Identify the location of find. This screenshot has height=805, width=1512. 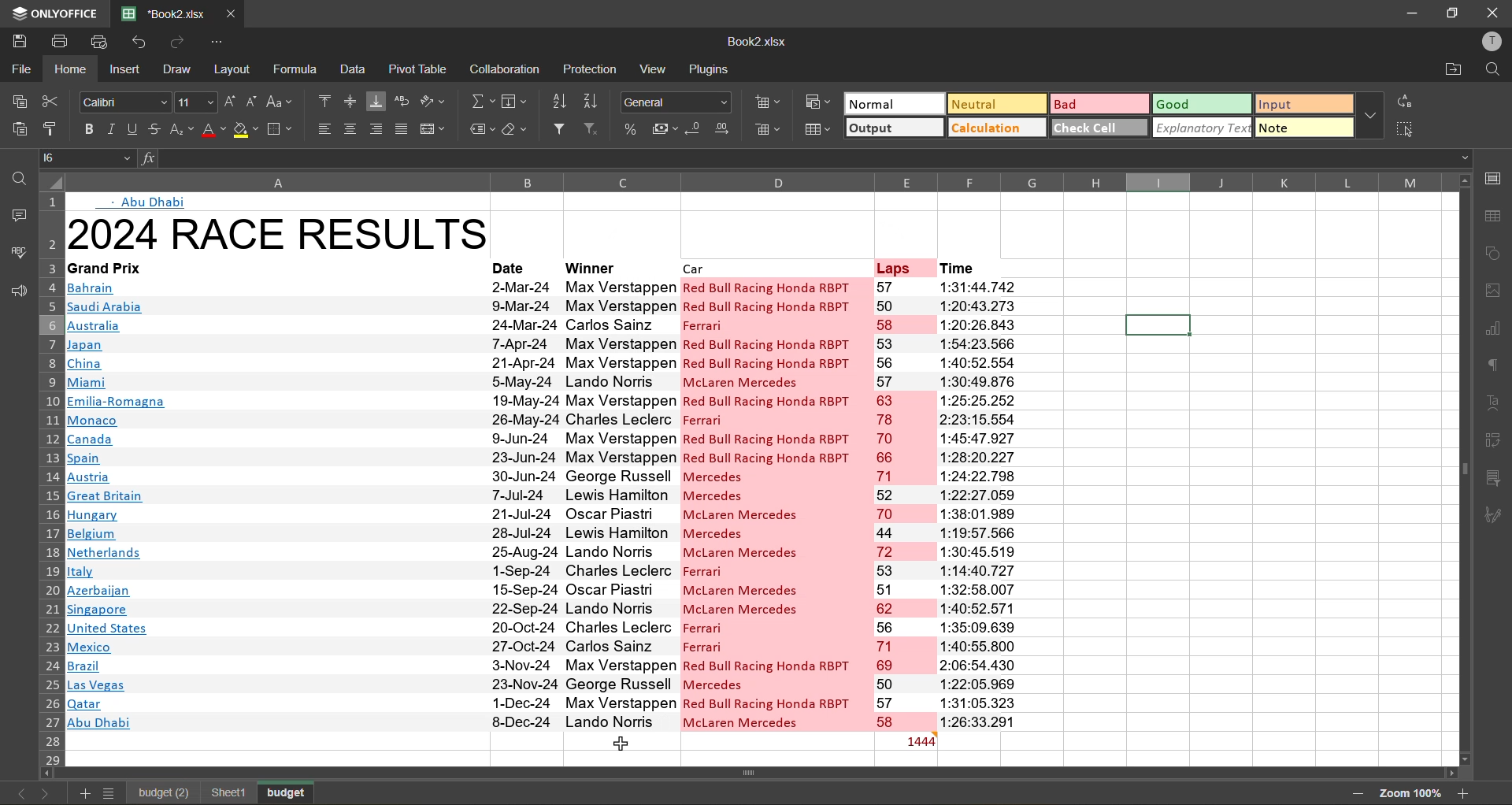
(16, 179).